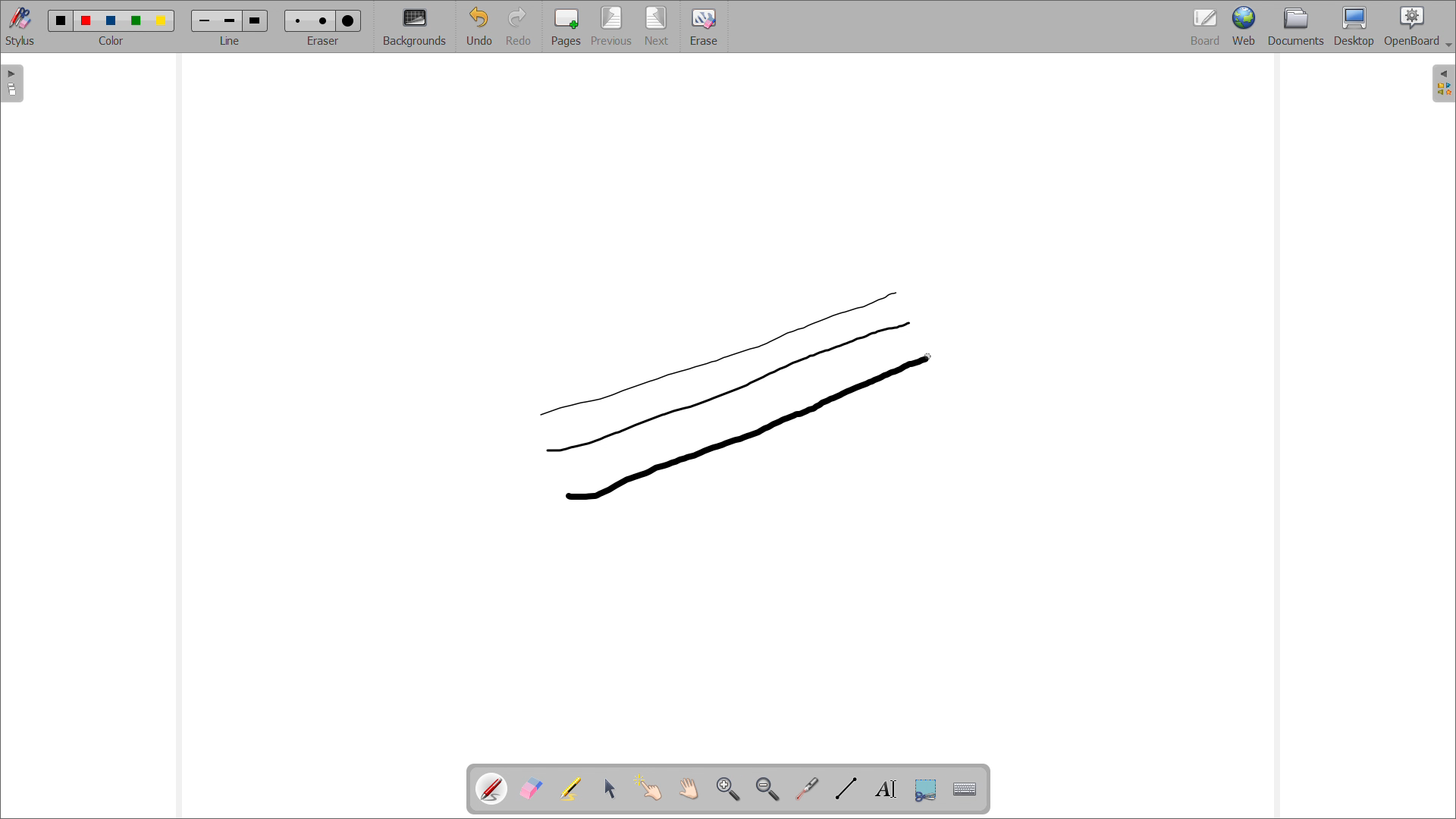 Image resolution: width=1456 pixels, height=819 pixels. What do you see at coordinates (494, 789) in the screenshot?
I see `pen tool` at bounding box center [494, 789].